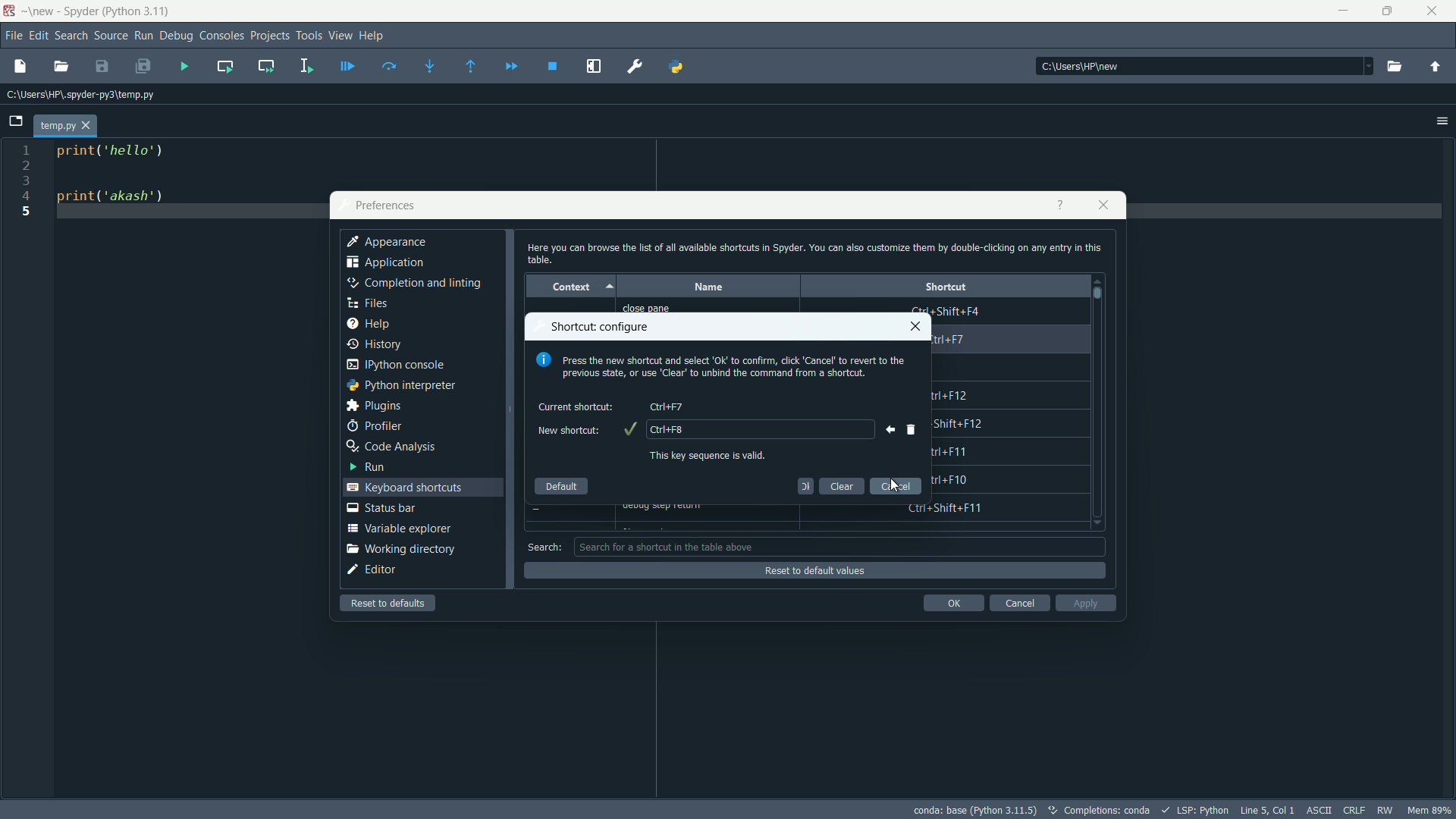  I want to click on file encoding, so click(1316, 809).